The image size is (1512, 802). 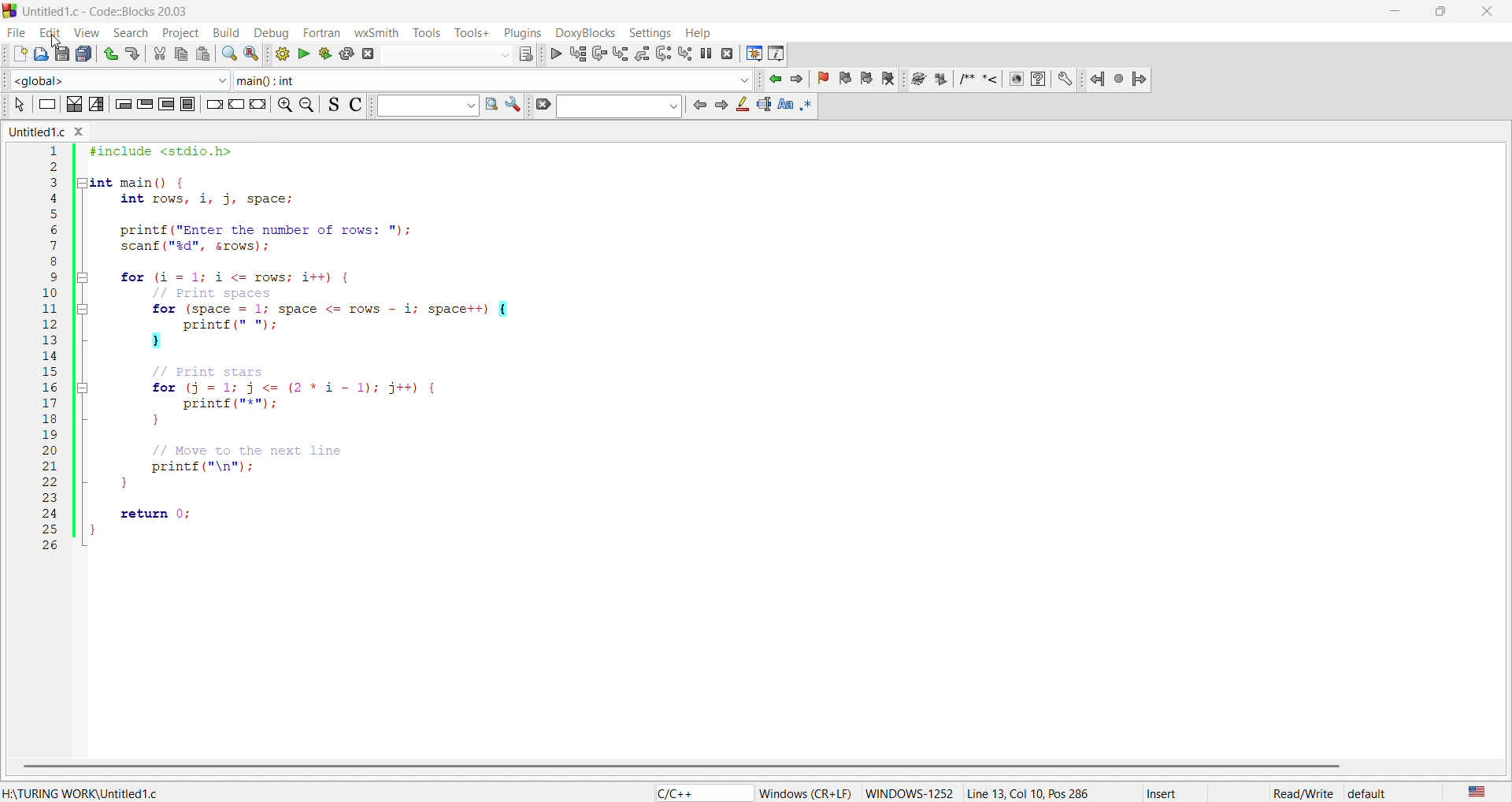 I want to click on previous, so click(x=699, y=105).